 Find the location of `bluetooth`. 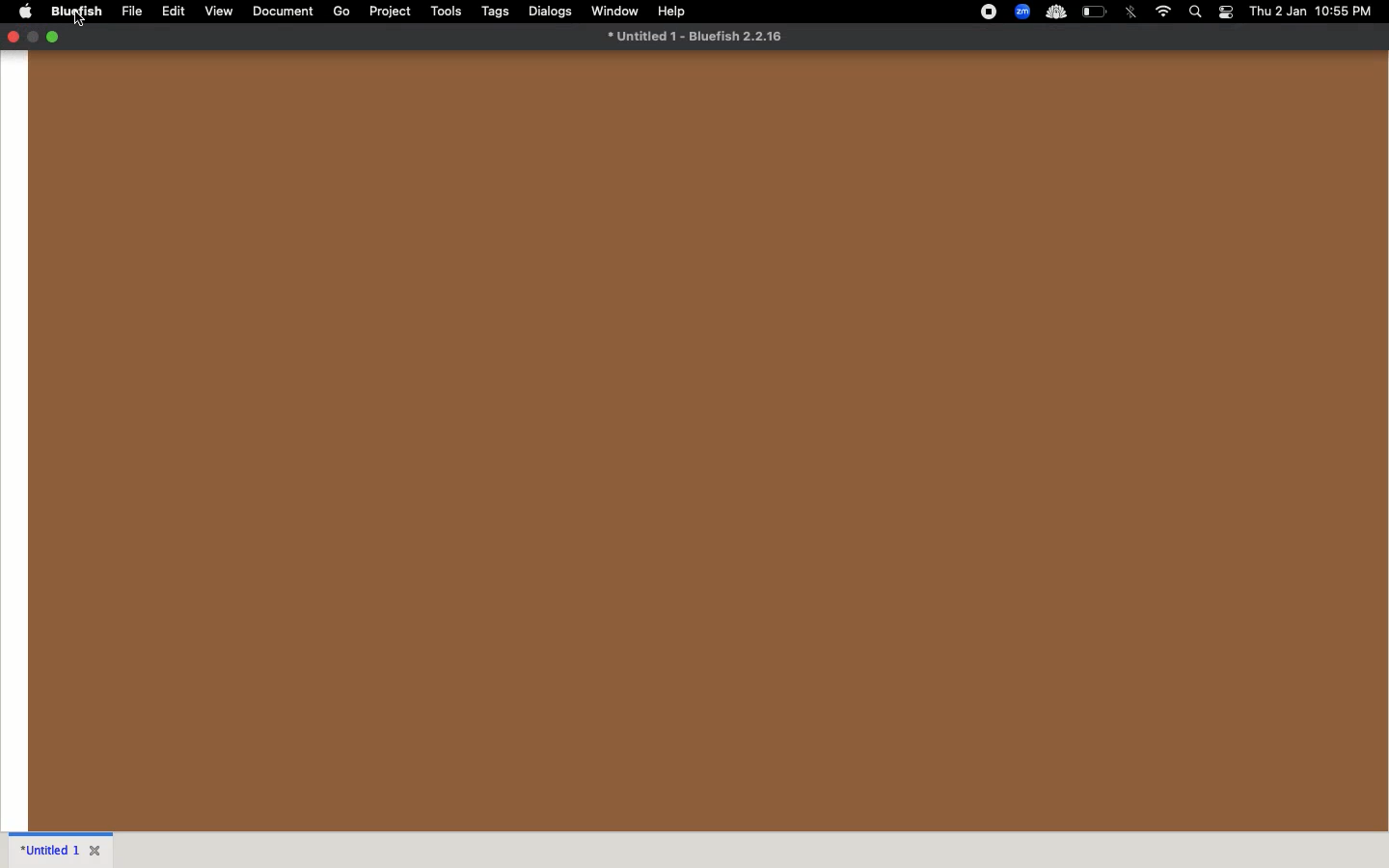

bluetooth is located at coordinates (1132, 12).